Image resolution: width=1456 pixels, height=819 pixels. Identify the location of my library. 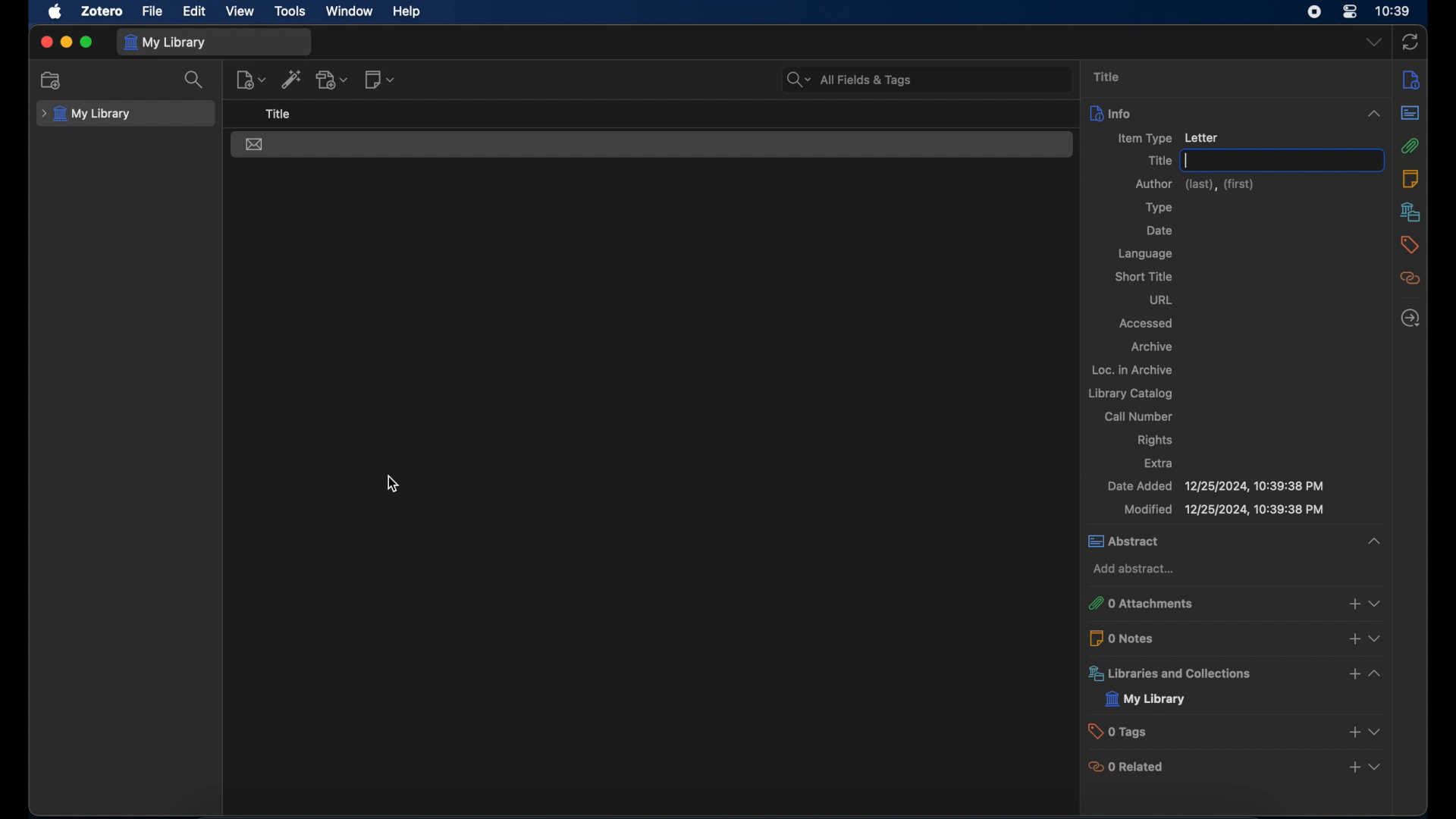
(168, 42).